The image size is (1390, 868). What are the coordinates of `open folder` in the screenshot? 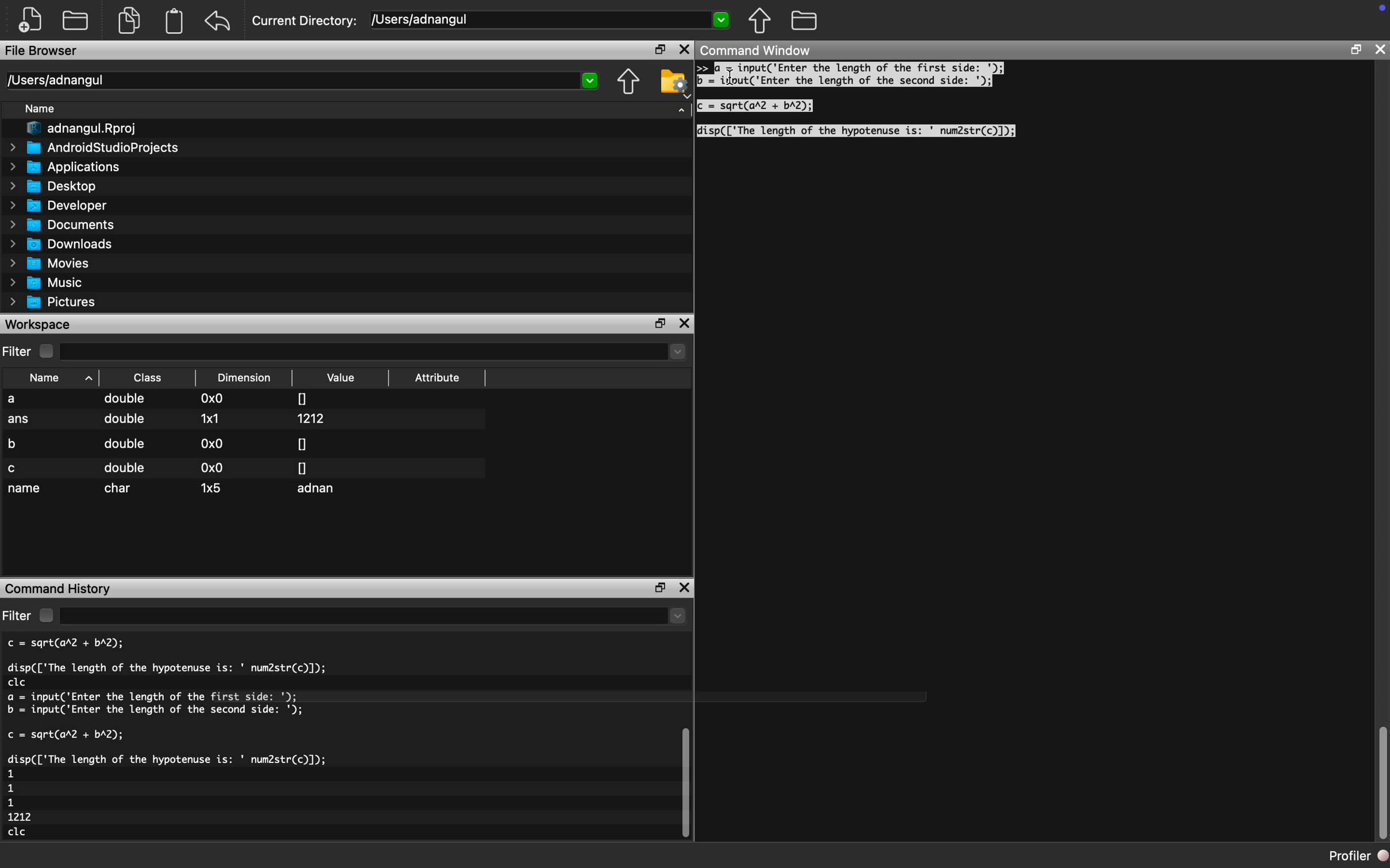 It's located at (77, 19).